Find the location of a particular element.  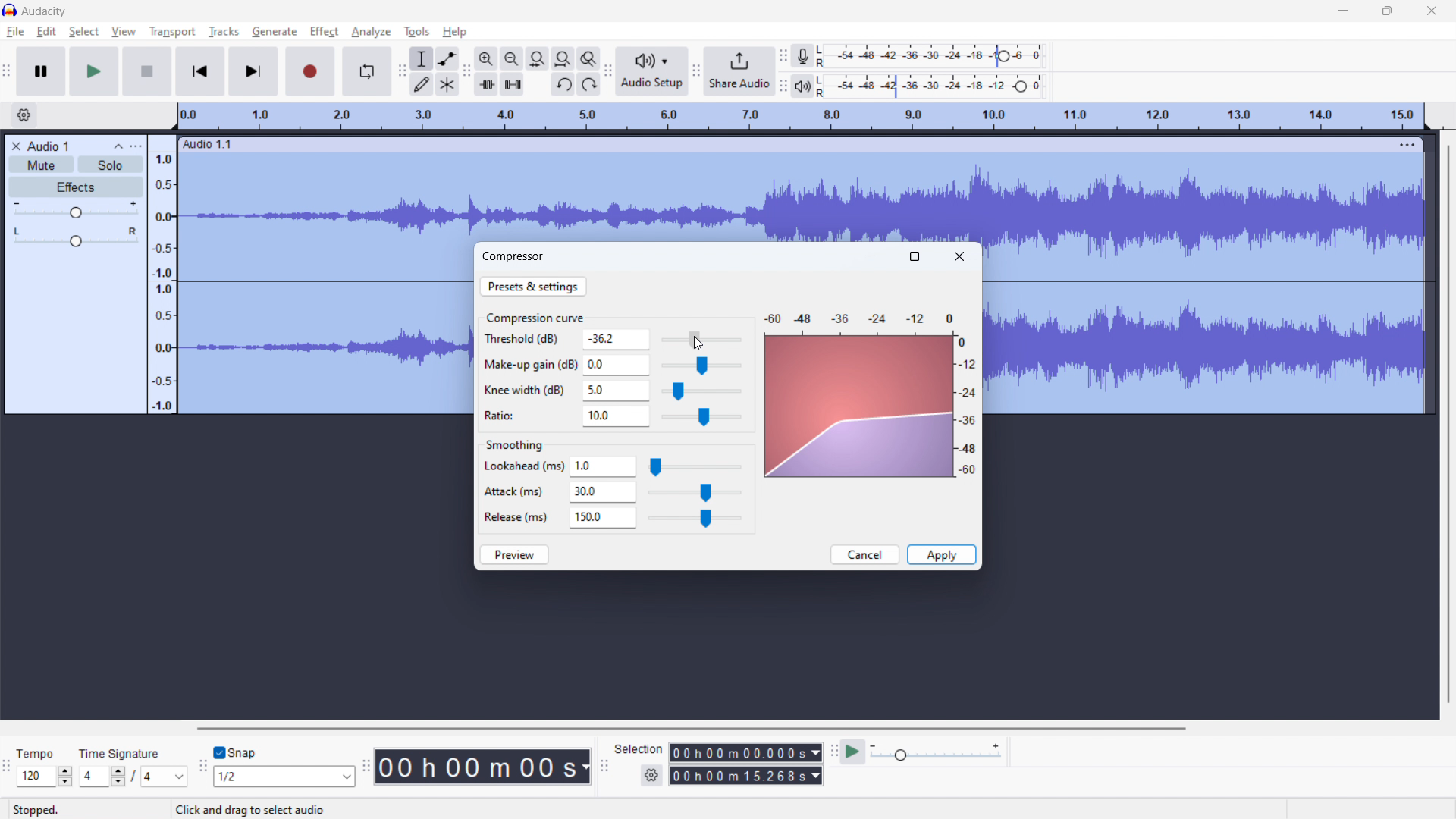

settings is located at coordinates (651, 776).